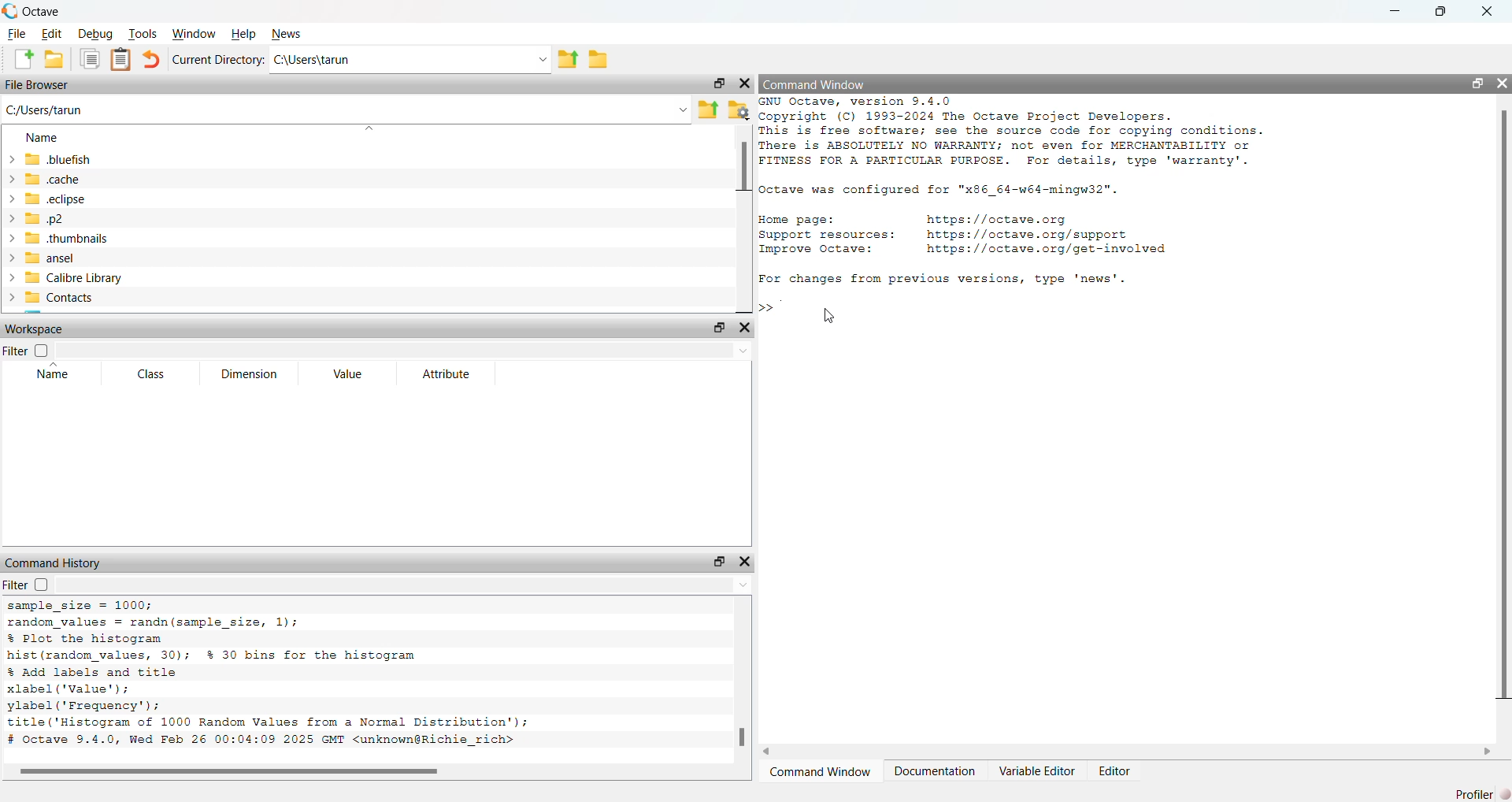 The width and height of the screenshot is (1512, 802). I want to click on maximize, so click(720, 327).